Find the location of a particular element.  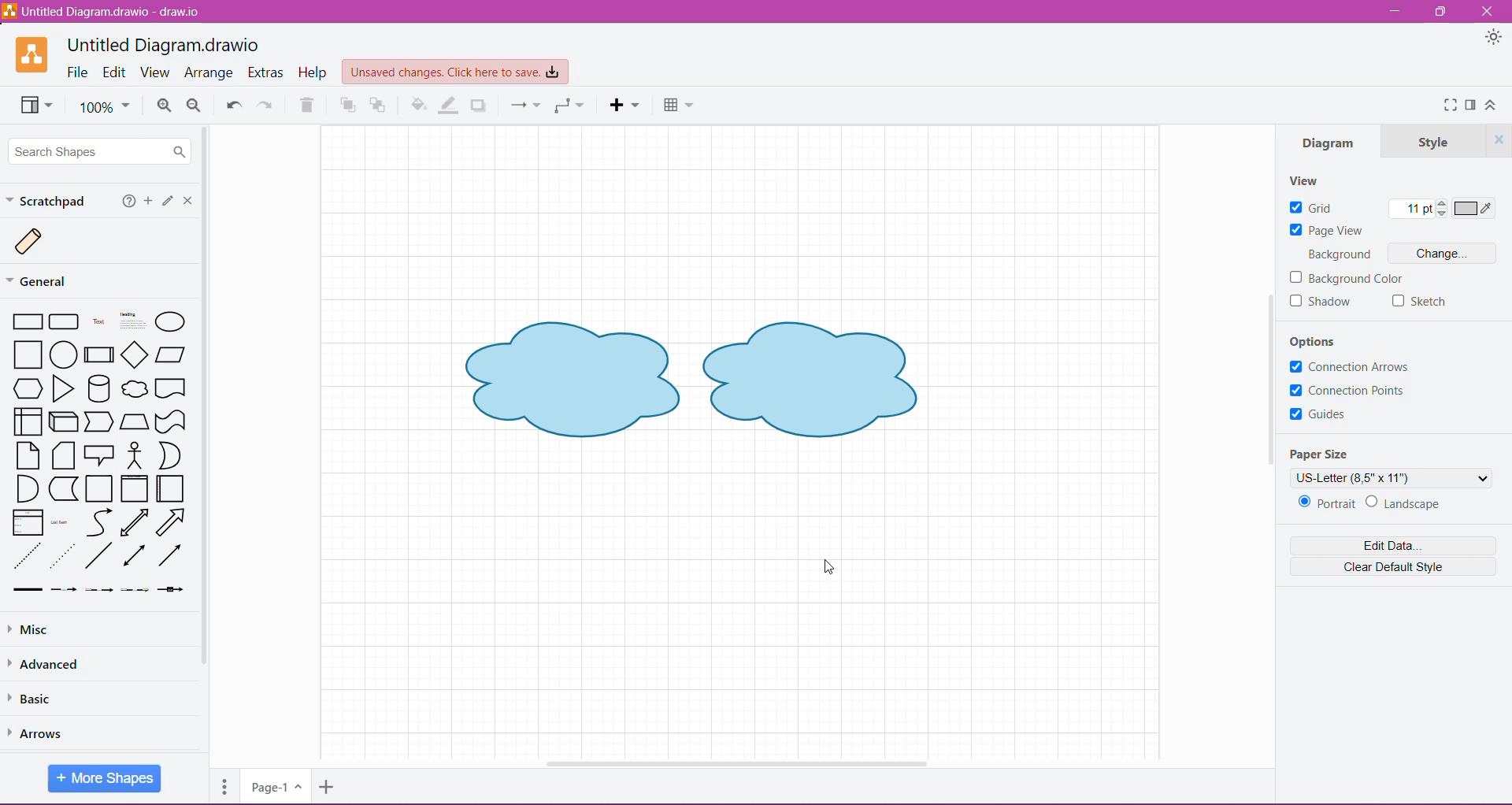

Scratchpad is located at coordinates (49, 201).